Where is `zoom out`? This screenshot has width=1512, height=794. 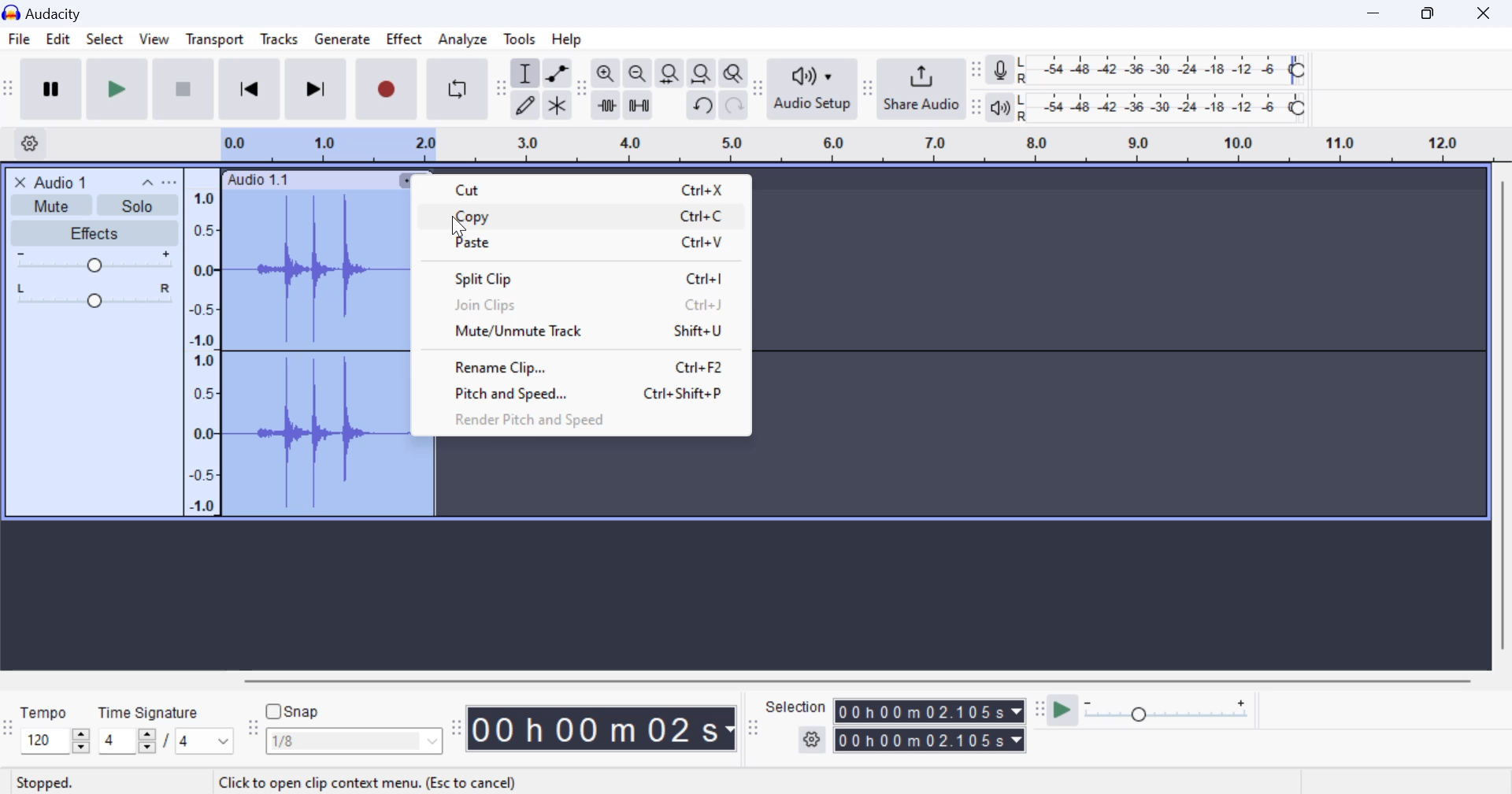
zoom out is located at coordinates (637, 75).